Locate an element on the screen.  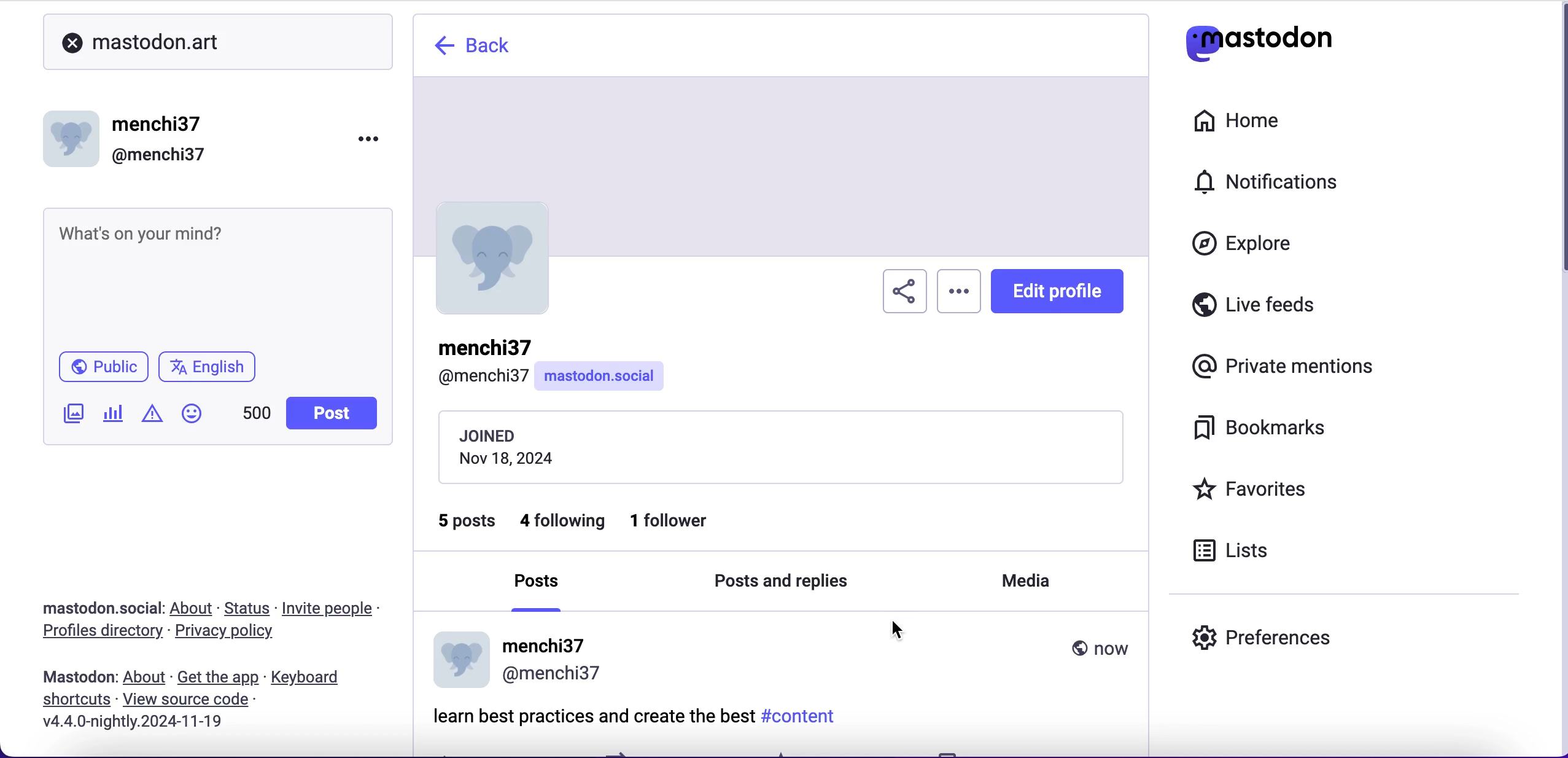
joining date is located at coordinates (794, 447).